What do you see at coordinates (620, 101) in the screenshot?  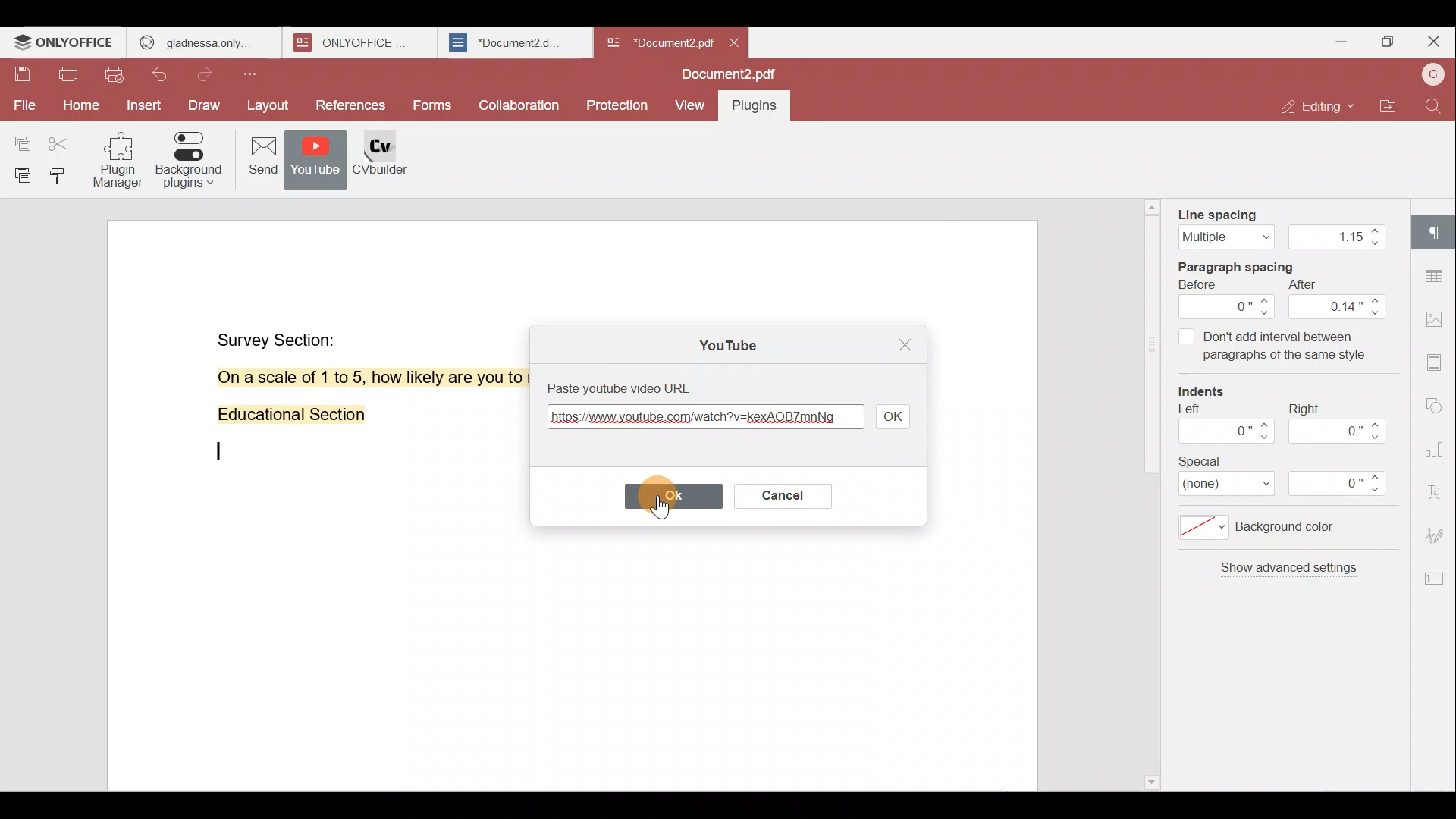 I see `Protection` at bounding box center [620, 101].